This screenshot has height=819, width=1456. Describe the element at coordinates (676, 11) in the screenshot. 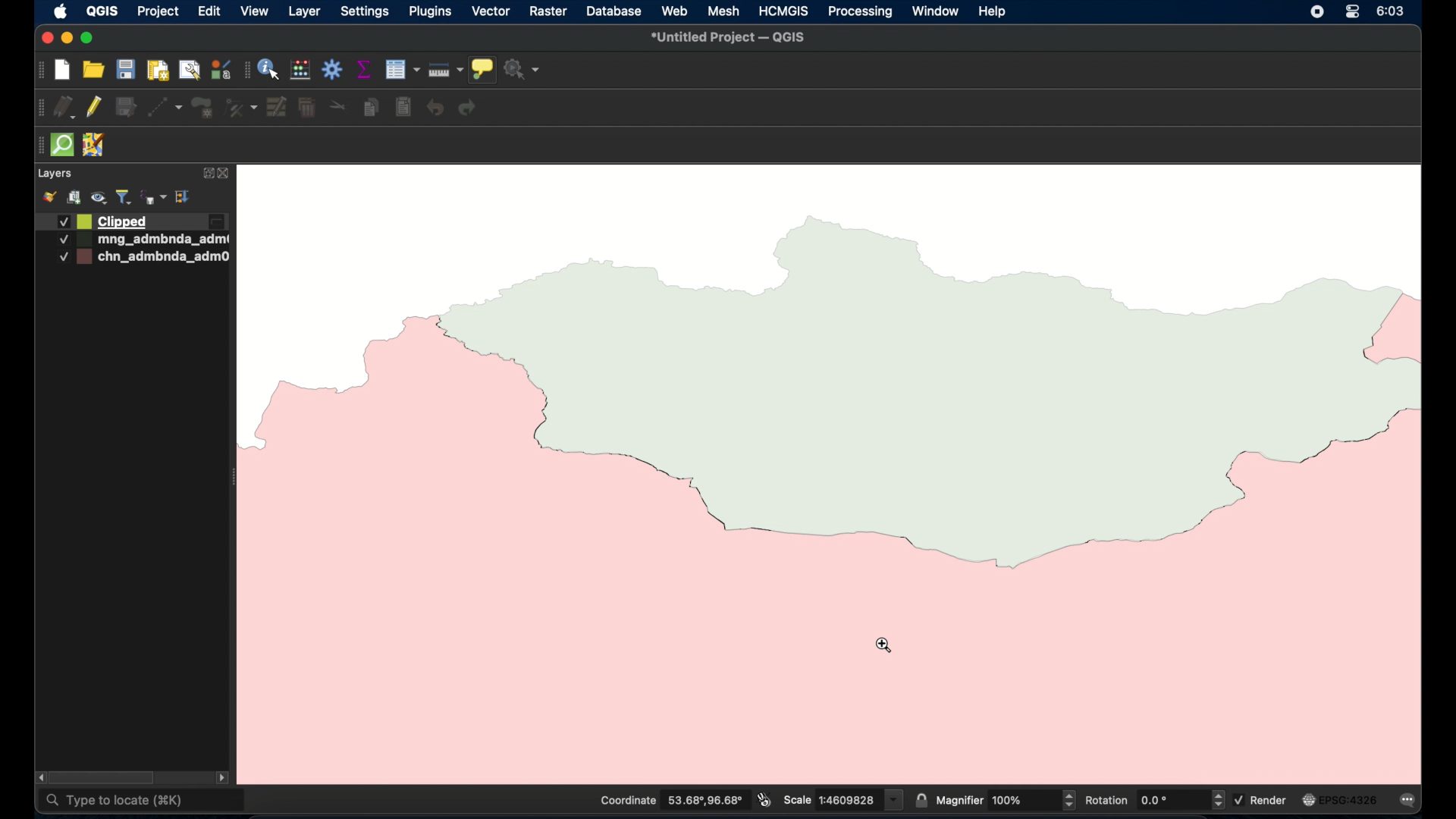

I see `web` at that location.